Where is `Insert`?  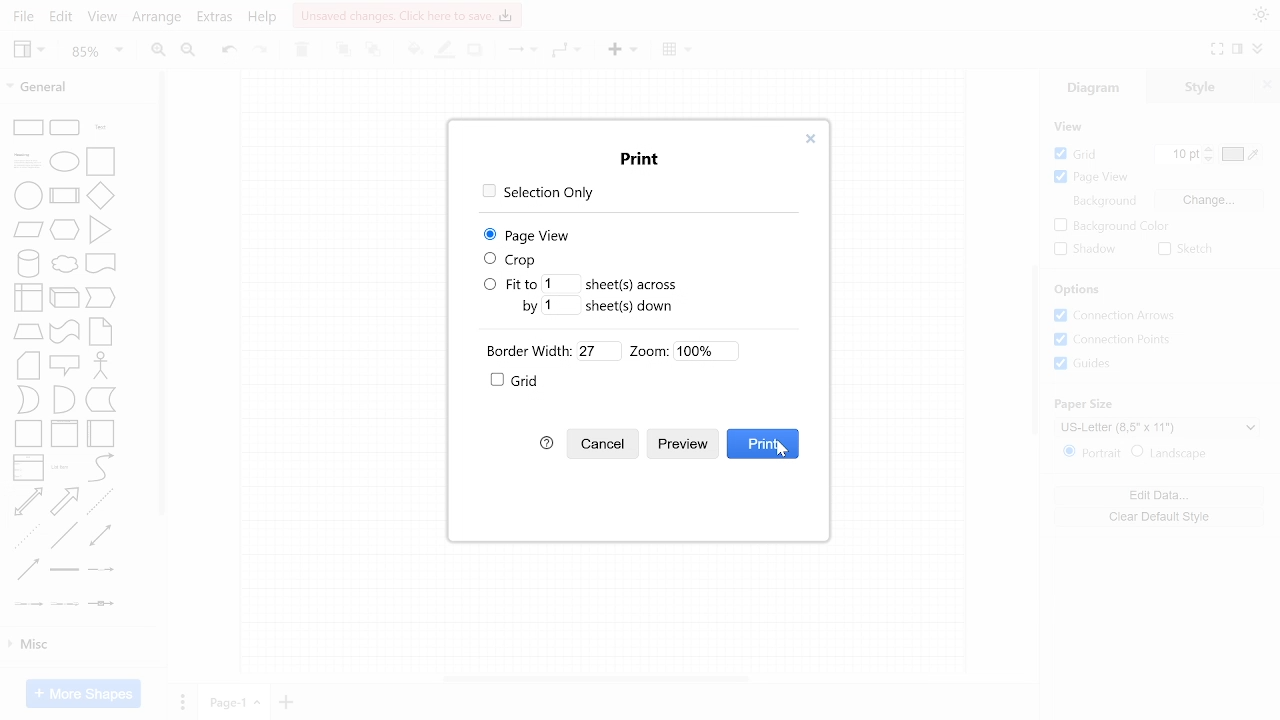
Insert is located at coordinates (622, 50).